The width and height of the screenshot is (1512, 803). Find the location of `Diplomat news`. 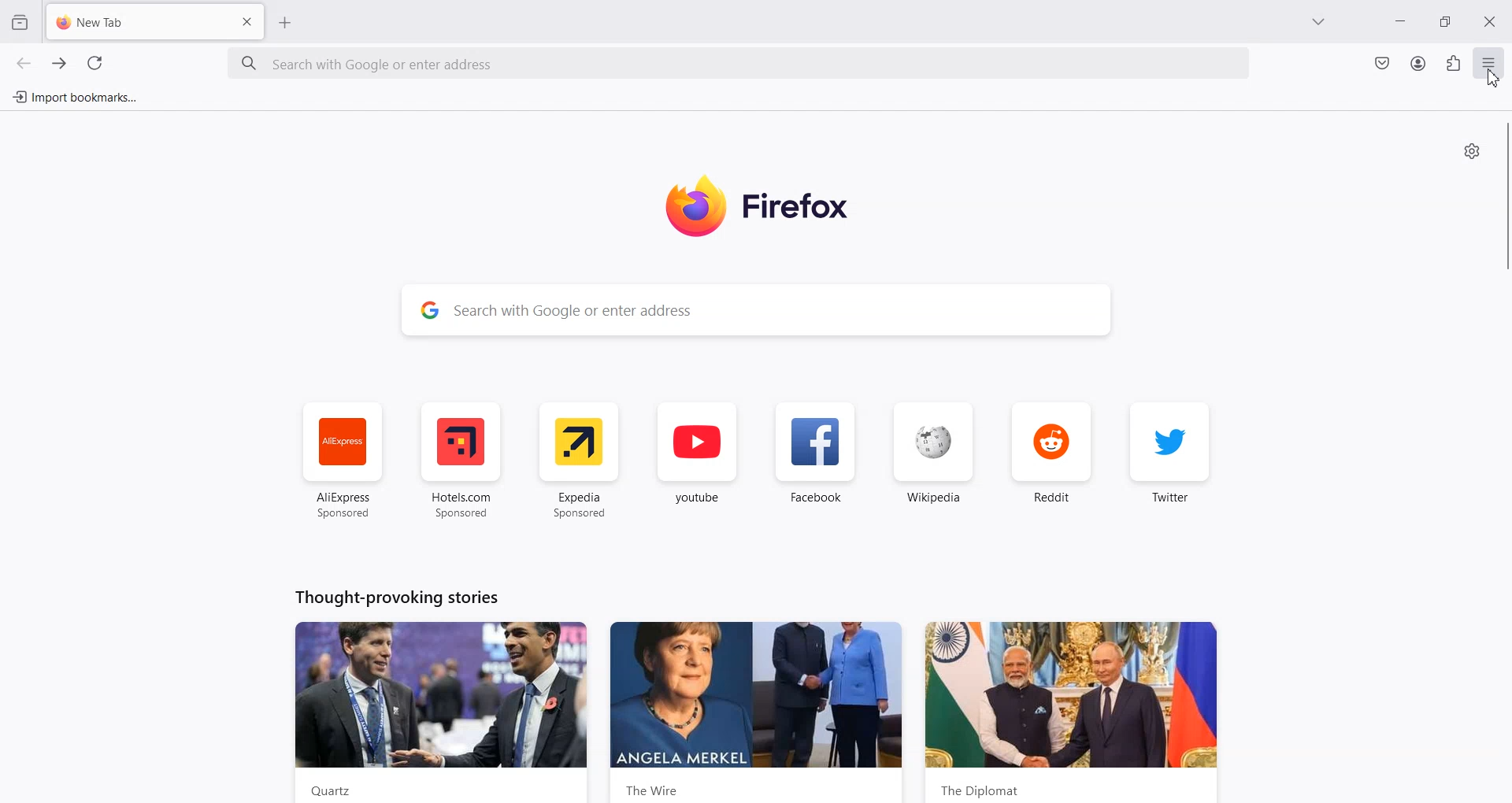

Diplomat news is located at coordinates (1073, 707).